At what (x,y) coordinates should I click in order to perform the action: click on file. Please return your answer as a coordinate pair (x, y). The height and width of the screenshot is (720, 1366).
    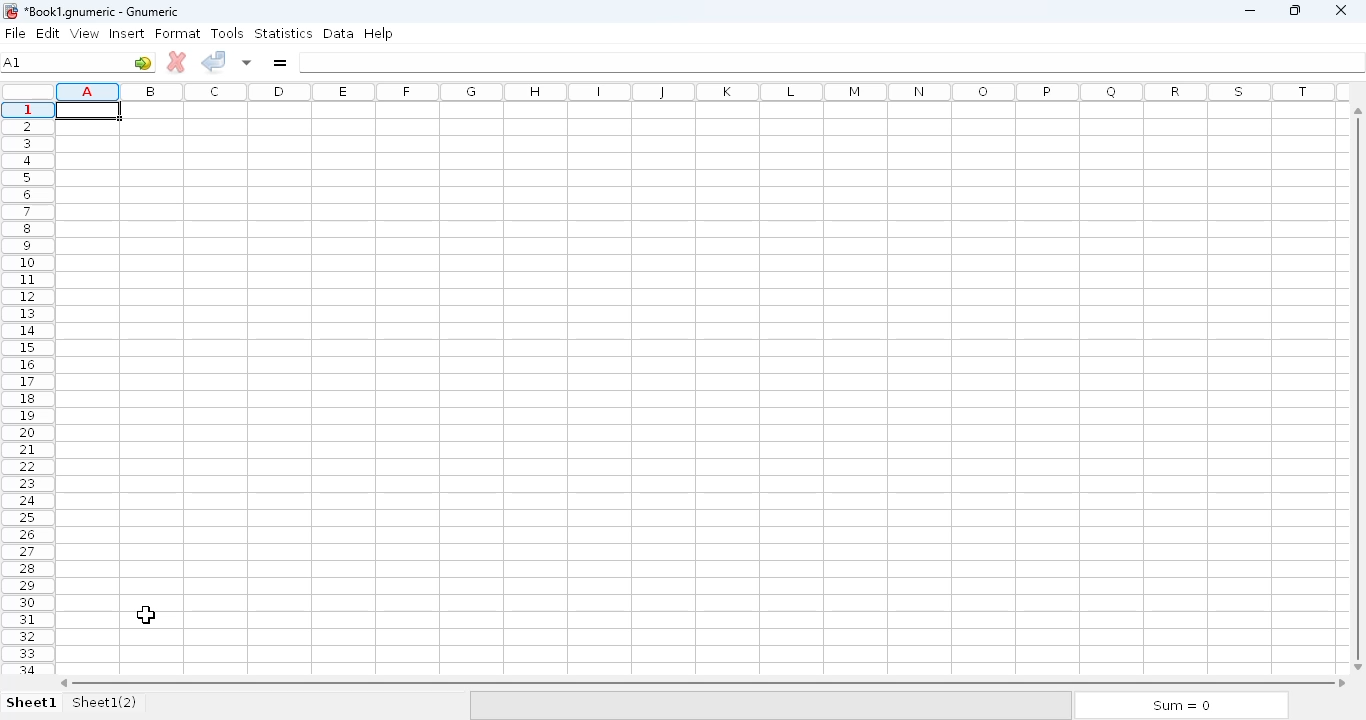
    Looking at the image, I should click on (15, 33).